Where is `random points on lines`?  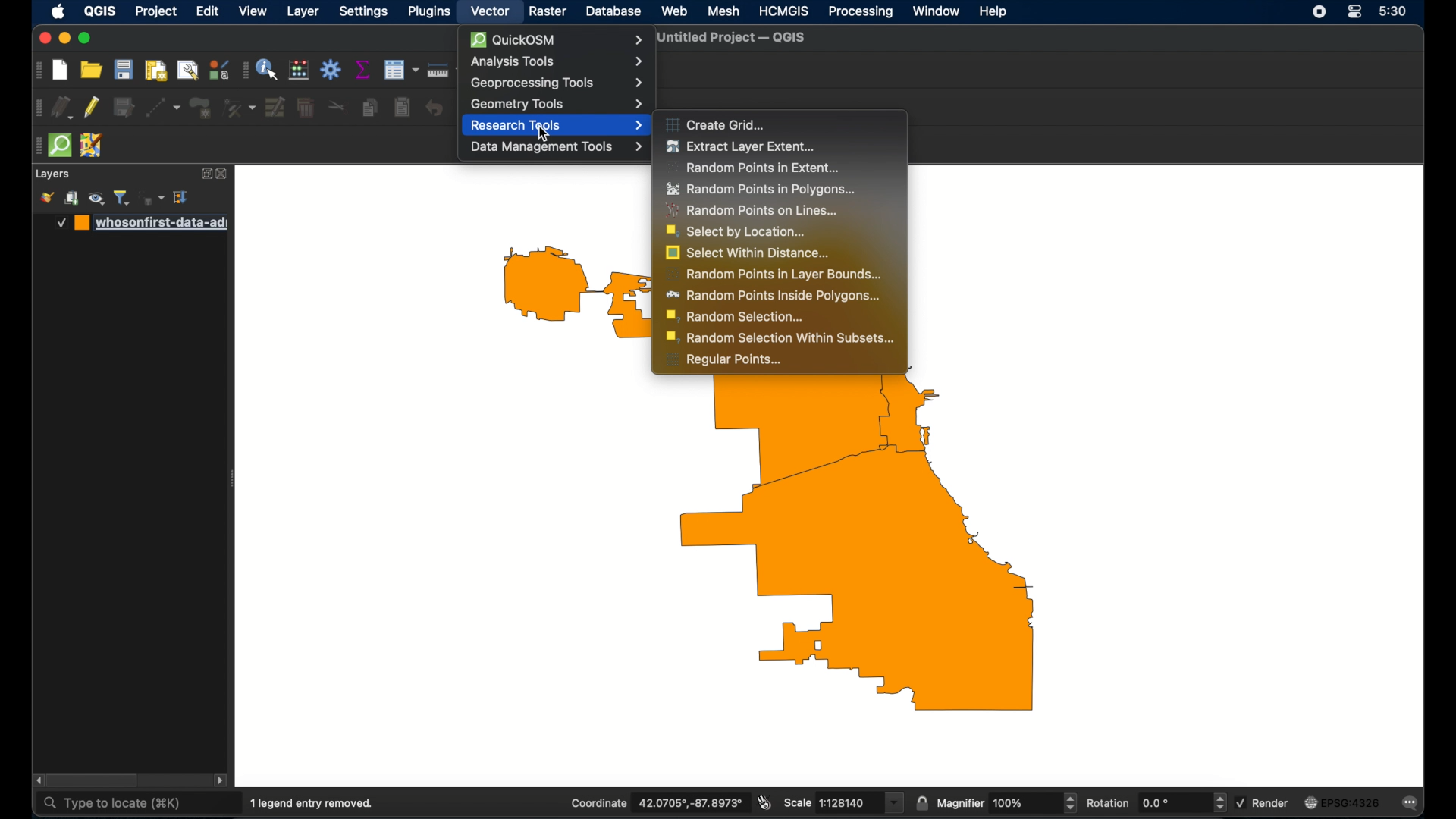
random points on lines is located at coordinates (753, 211).